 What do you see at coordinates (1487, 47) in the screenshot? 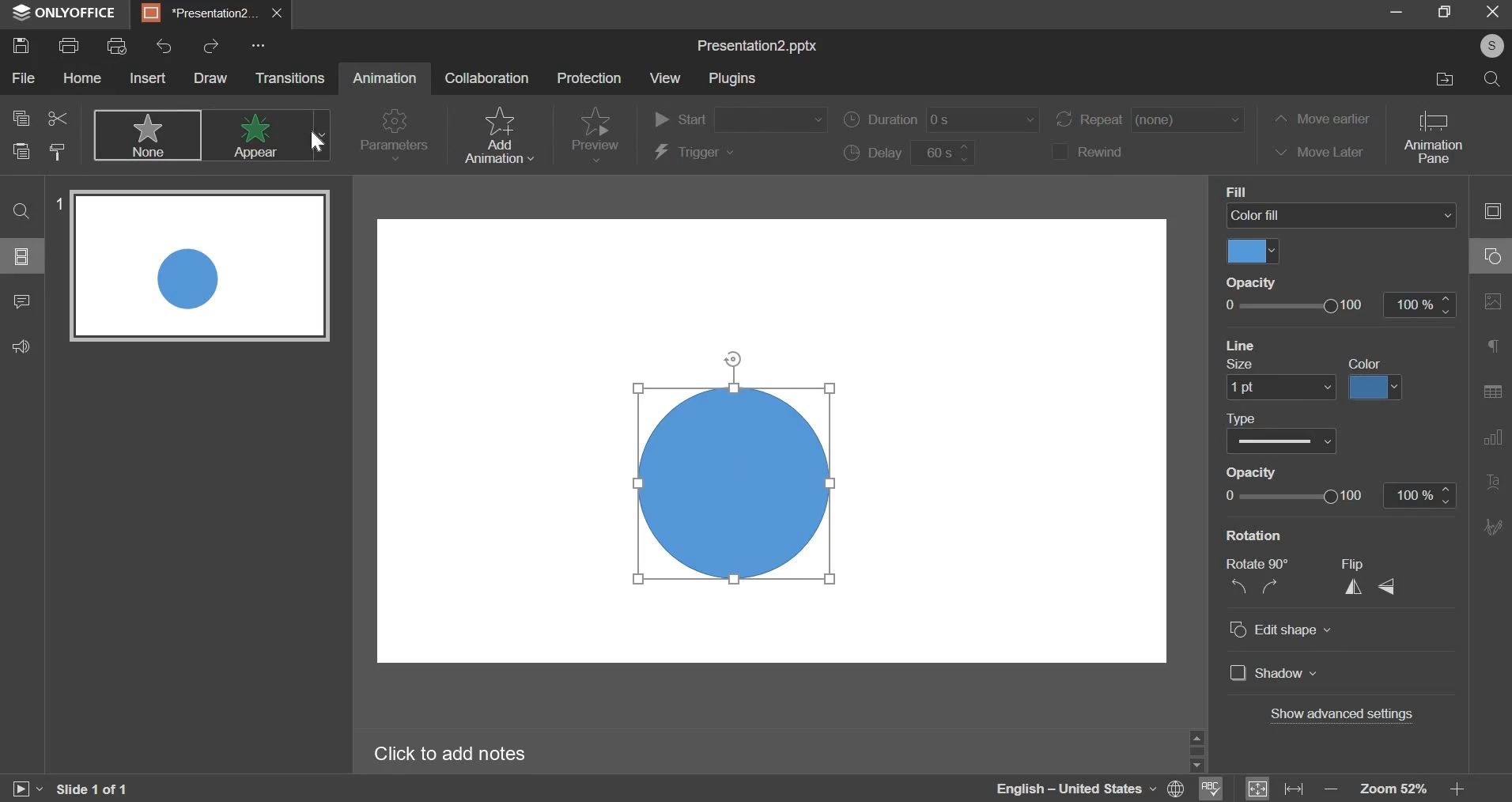
I see `©` at bounding box center [1487, 47].